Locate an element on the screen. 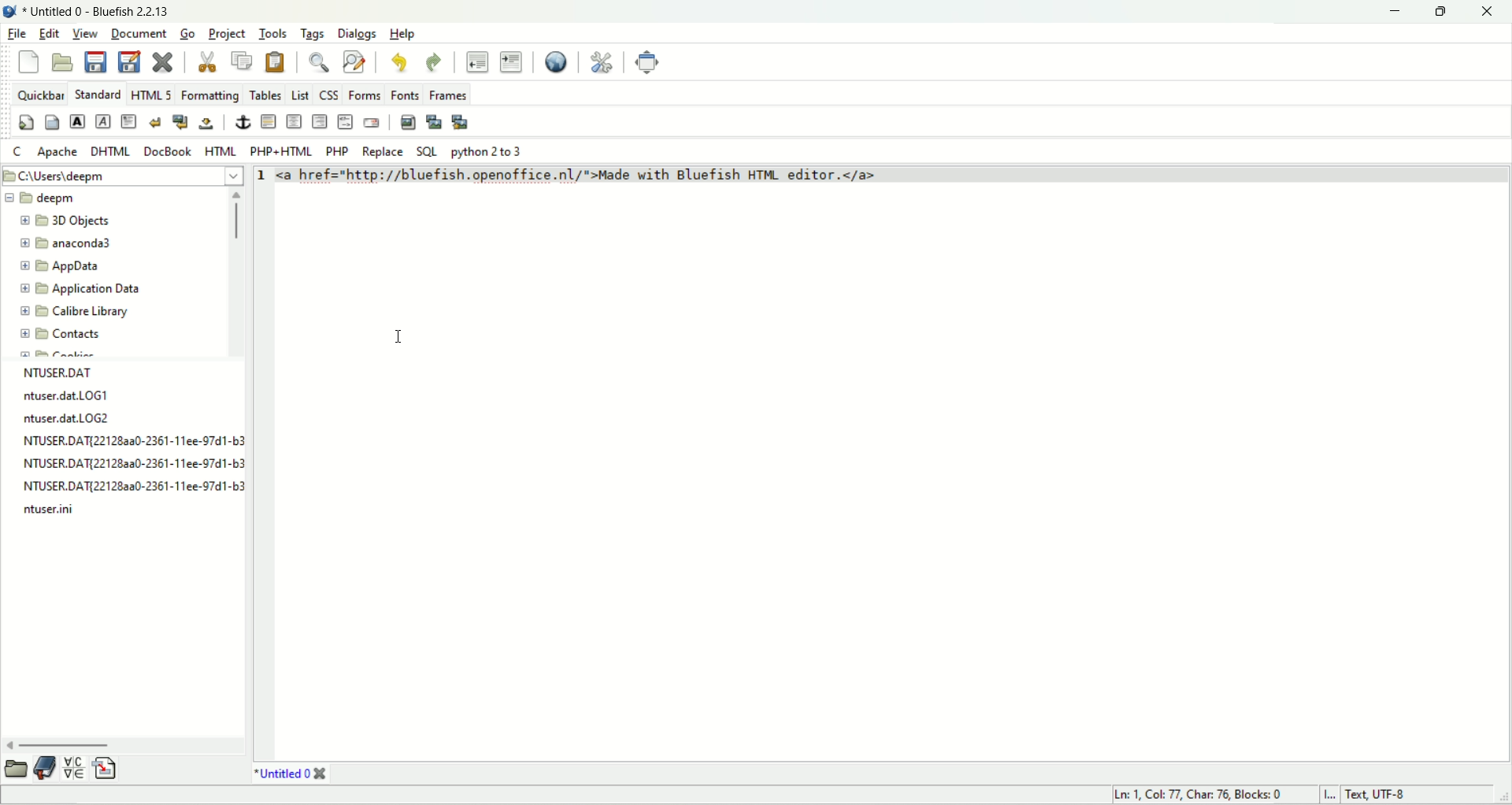 This screenshot has width=1512, height=805. email is located at coordinates (377, 124).